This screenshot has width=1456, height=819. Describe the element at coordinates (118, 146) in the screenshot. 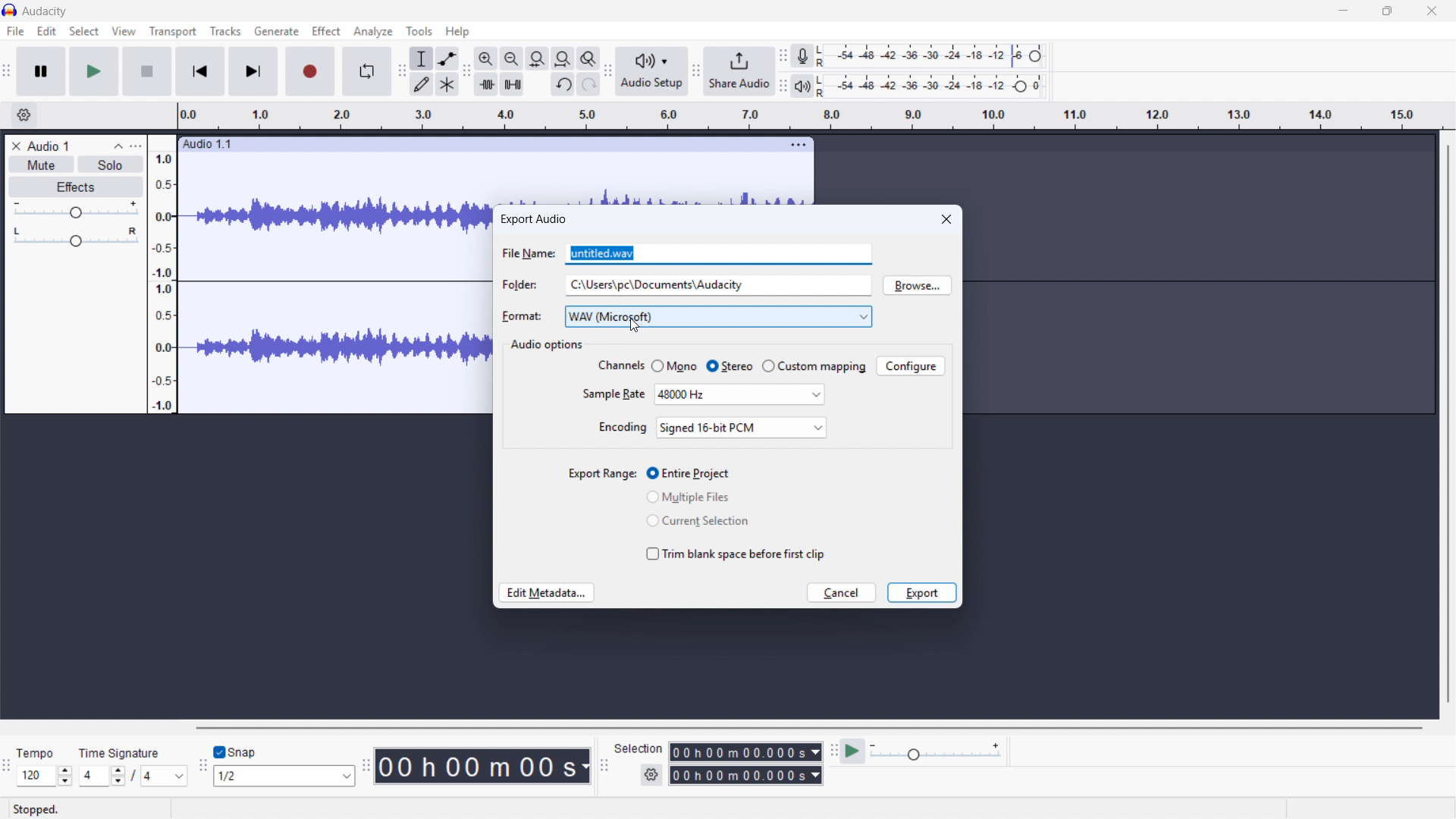

I see `Collapse ` at that location.